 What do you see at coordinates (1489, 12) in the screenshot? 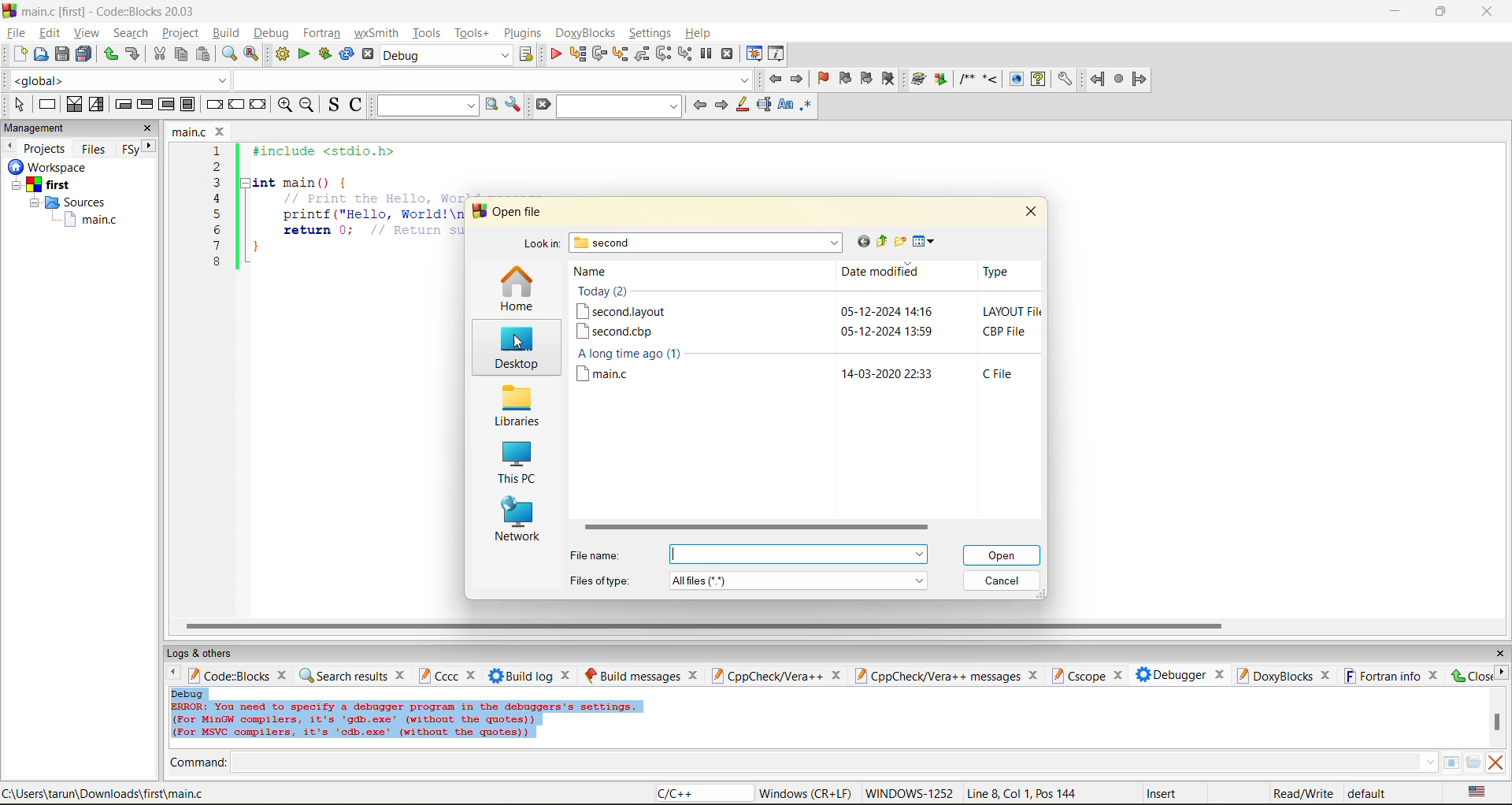
I see `close ` at bounding box center [1489, 12].